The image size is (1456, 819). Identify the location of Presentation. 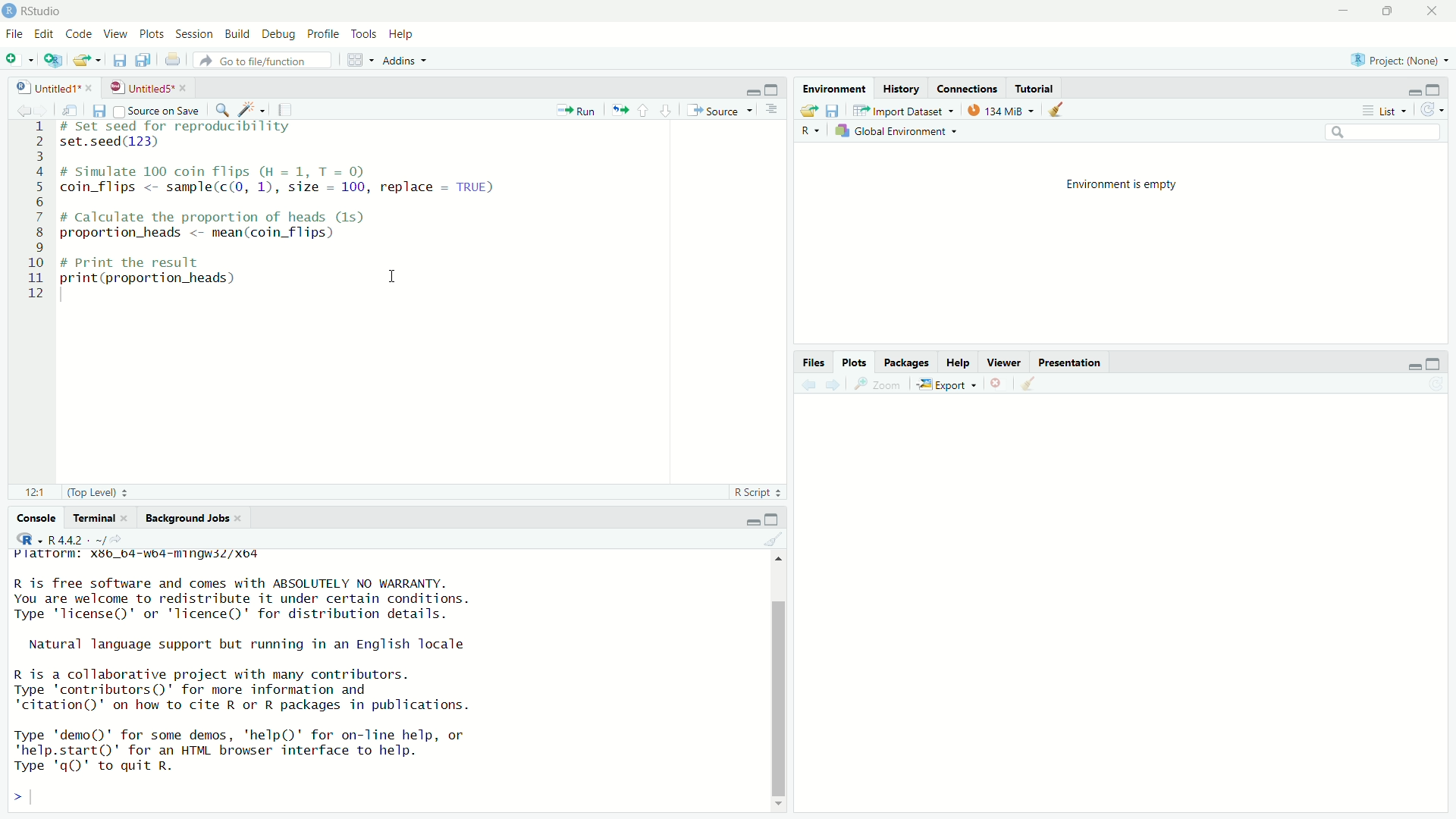
(1072, 362).